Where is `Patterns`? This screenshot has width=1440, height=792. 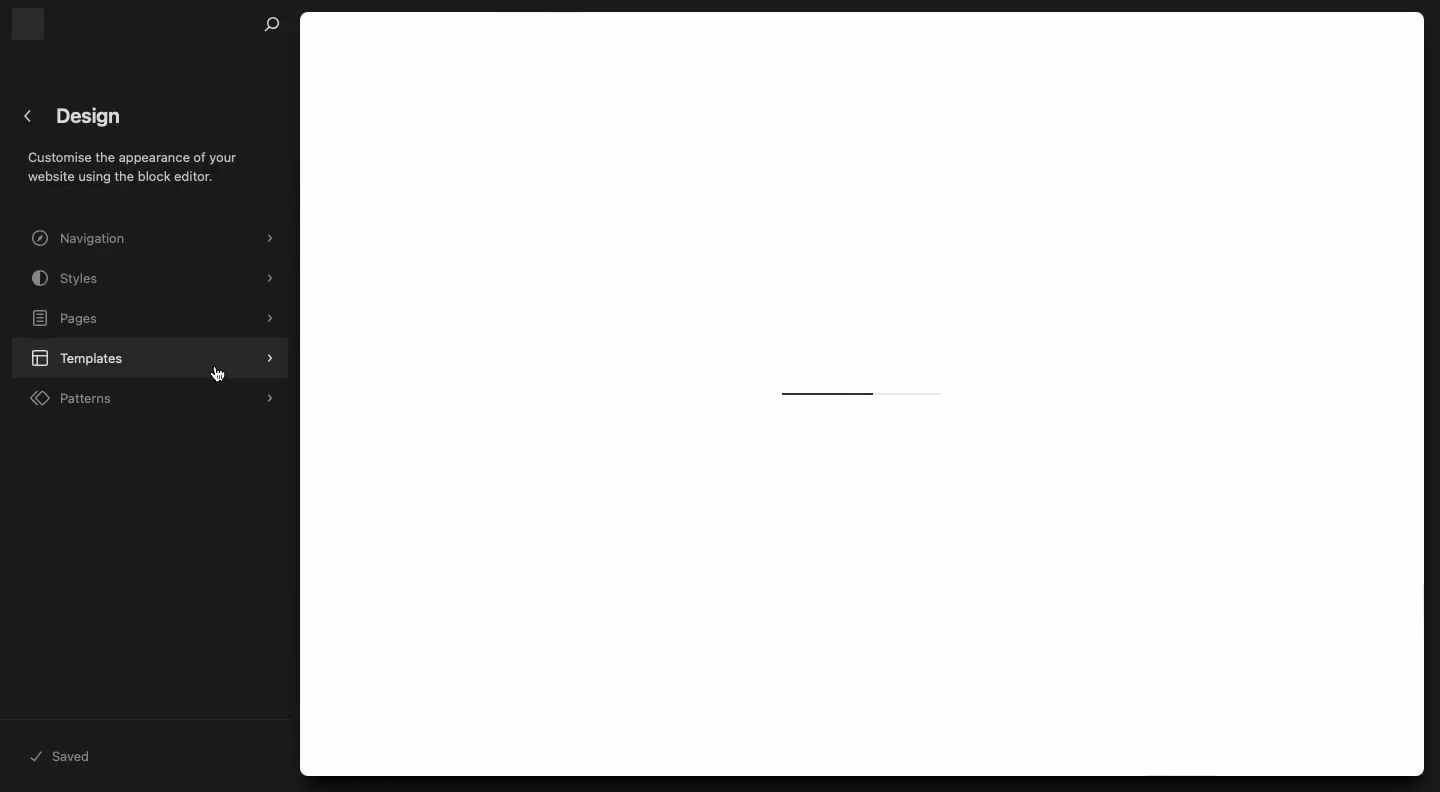
Patterns is located at coordinates (152, 398).